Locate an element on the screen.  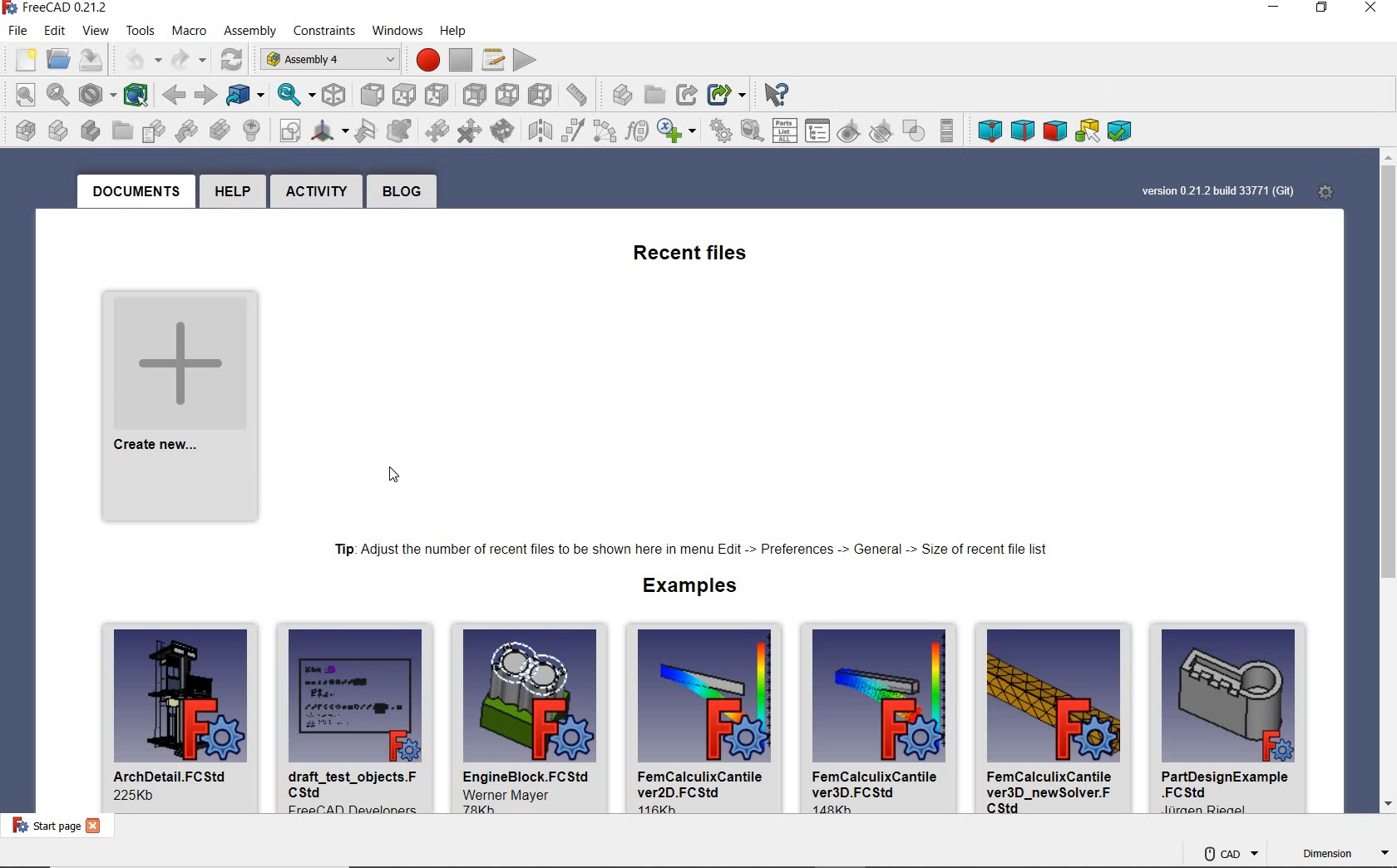
variables is located at coordinates (637, 131).